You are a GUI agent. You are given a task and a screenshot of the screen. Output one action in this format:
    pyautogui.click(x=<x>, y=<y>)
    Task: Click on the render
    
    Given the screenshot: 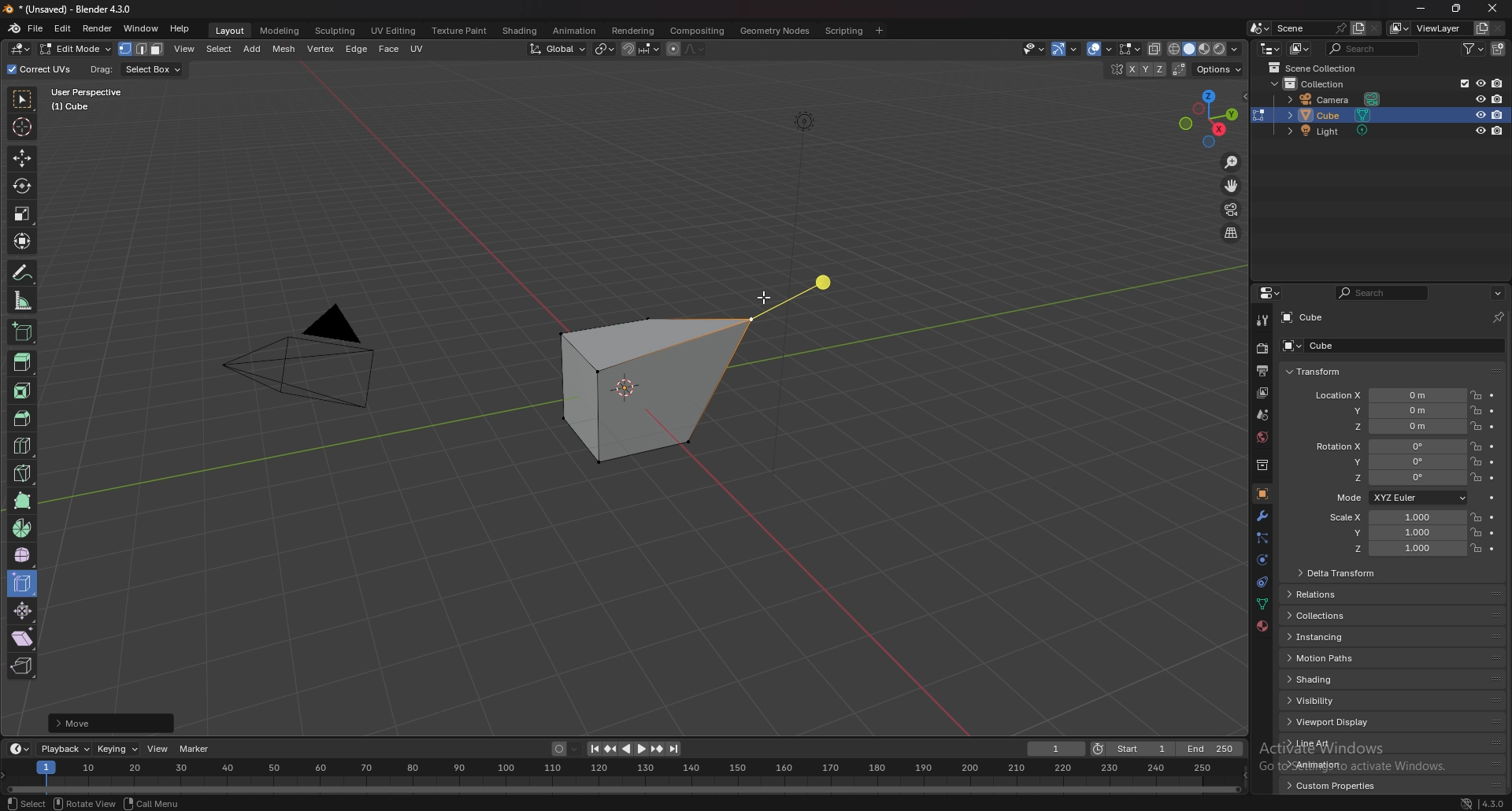 What is the action you would take?
    pyautogui.click(x=1261, y=349)
    